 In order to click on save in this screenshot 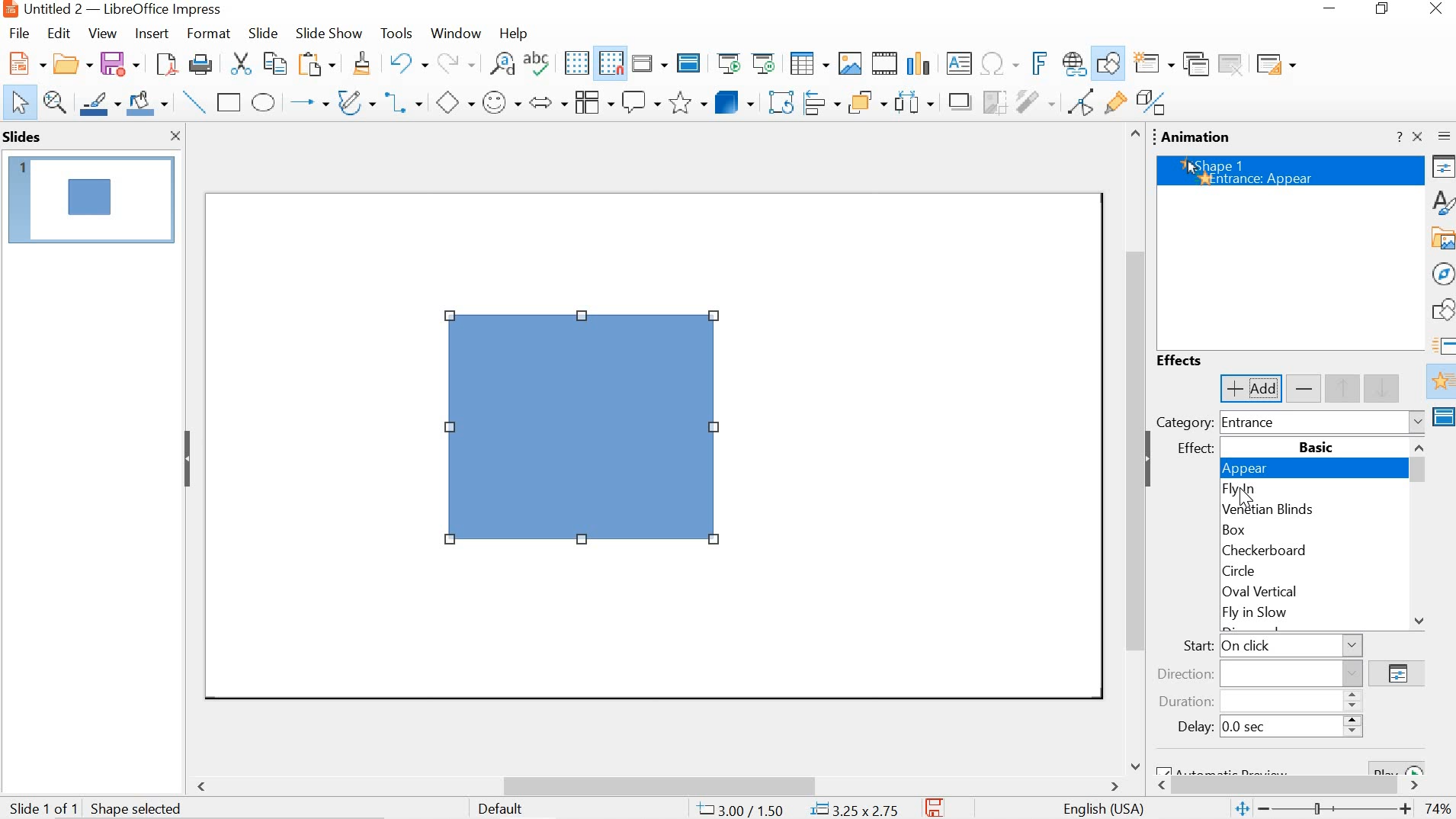, I will do `click(936, 808)`.